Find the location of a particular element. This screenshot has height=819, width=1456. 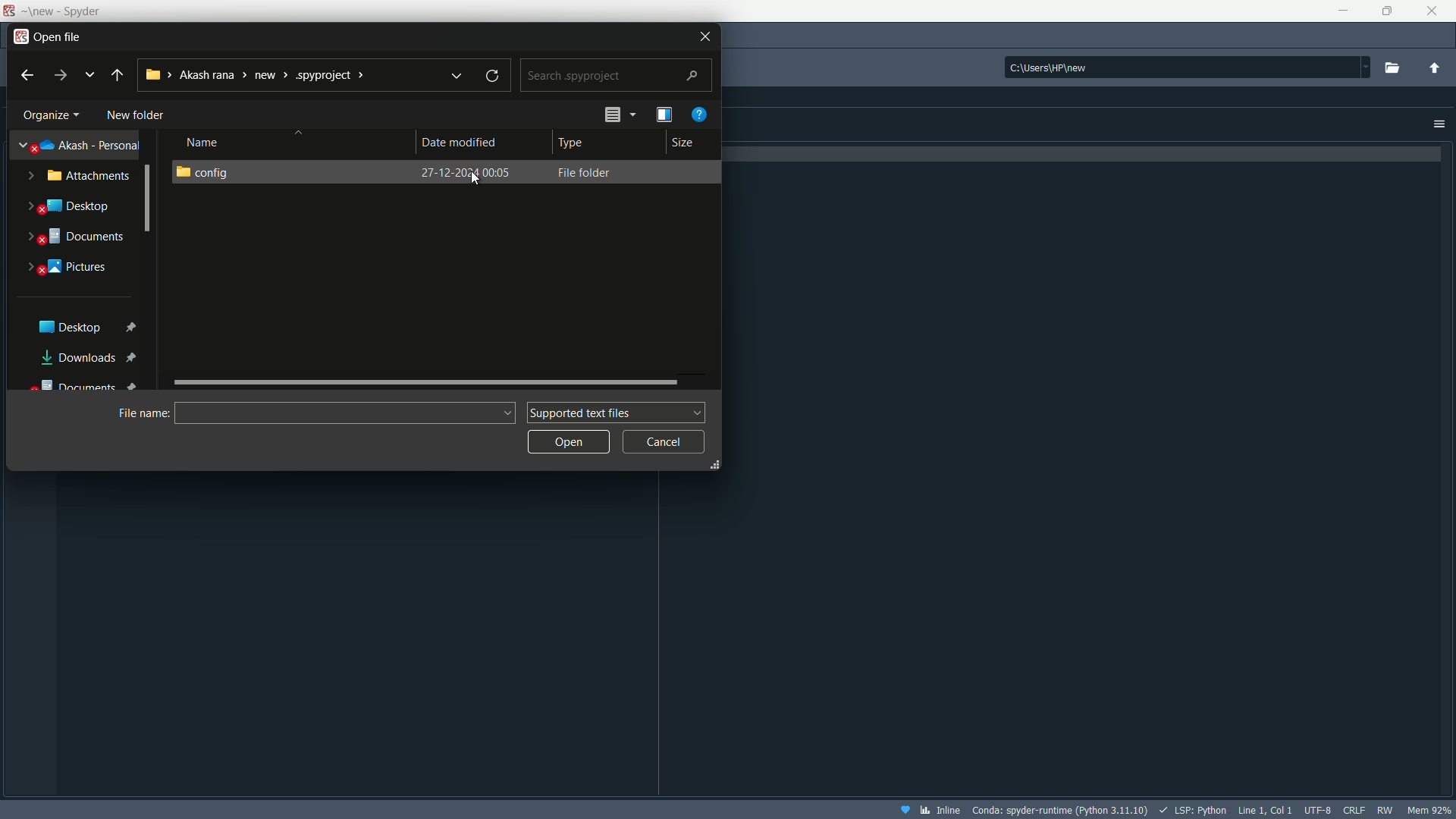

open is located at coordinates (569, 441).